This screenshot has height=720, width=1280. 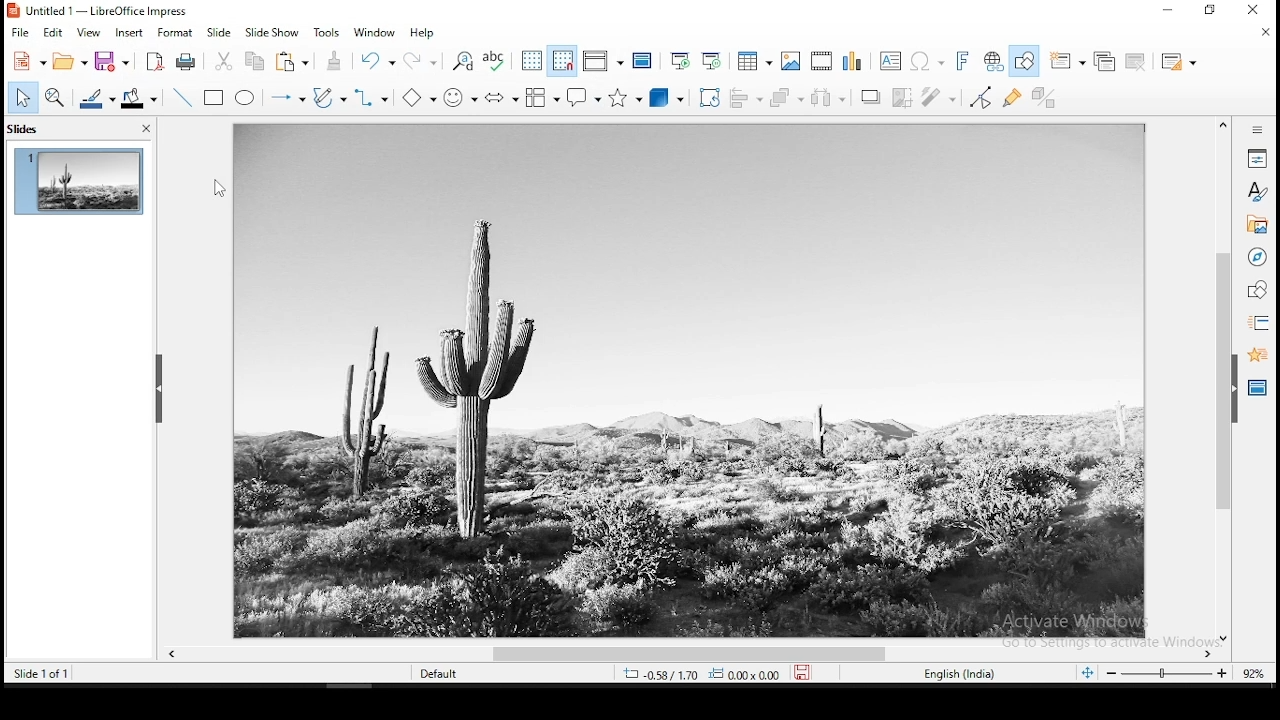 What do you see at coordinates (220, 34) in the screenshot?
I see `slide` at bounding box center [220, 34].